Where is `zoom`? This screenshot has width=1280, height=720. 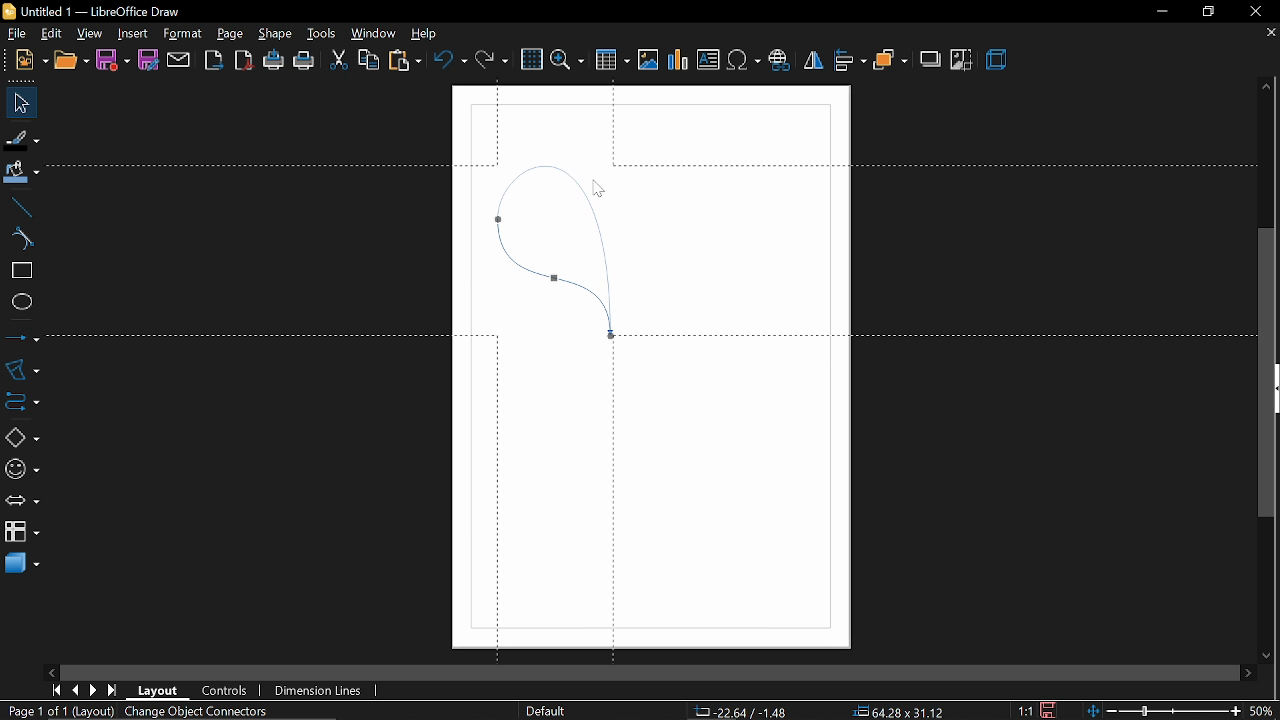
zoom is located at coordinates (567, 60).